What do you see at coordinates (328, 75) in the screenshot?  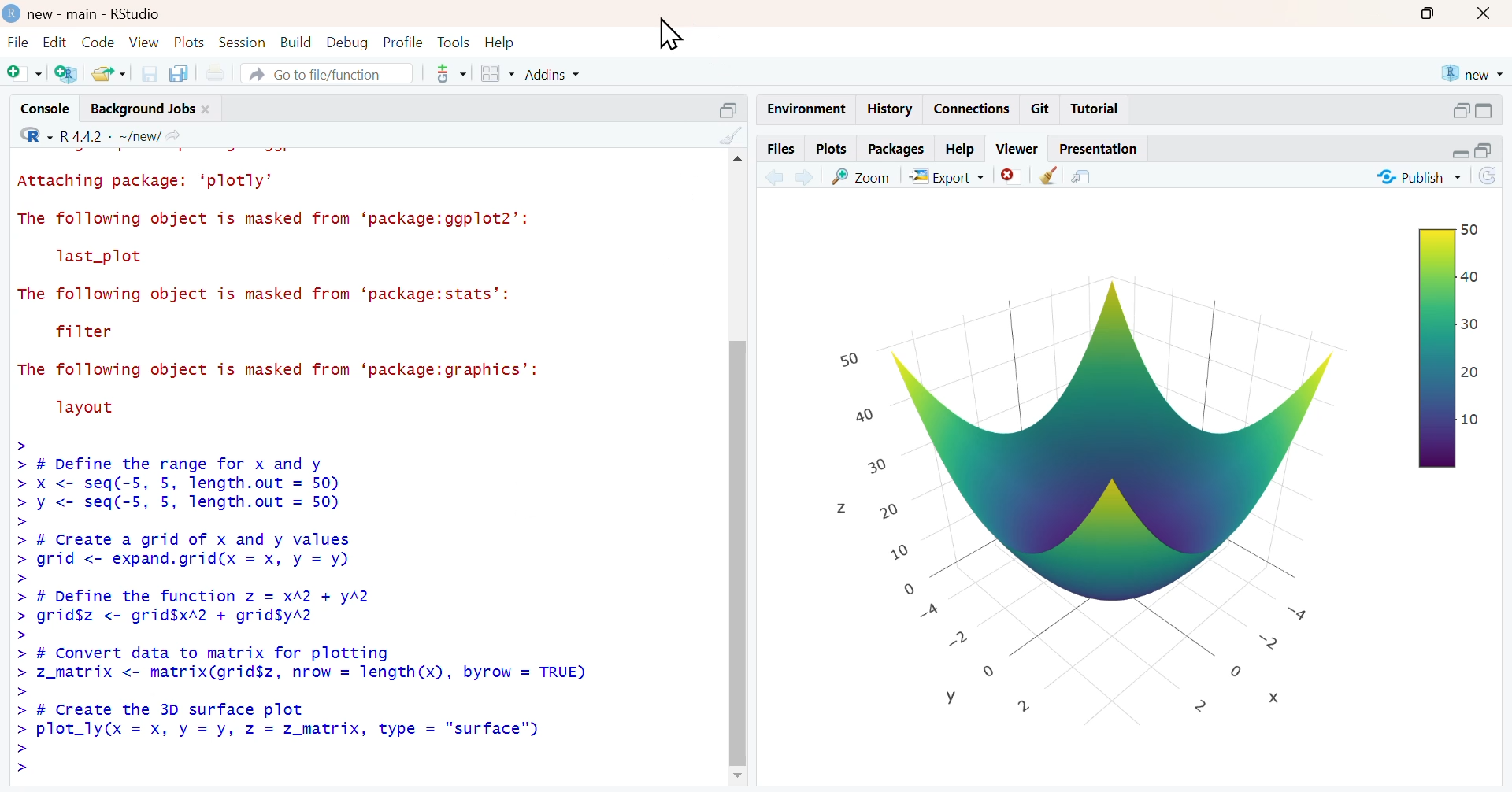 I see `go to file/function` at bounding box center [328, 75].